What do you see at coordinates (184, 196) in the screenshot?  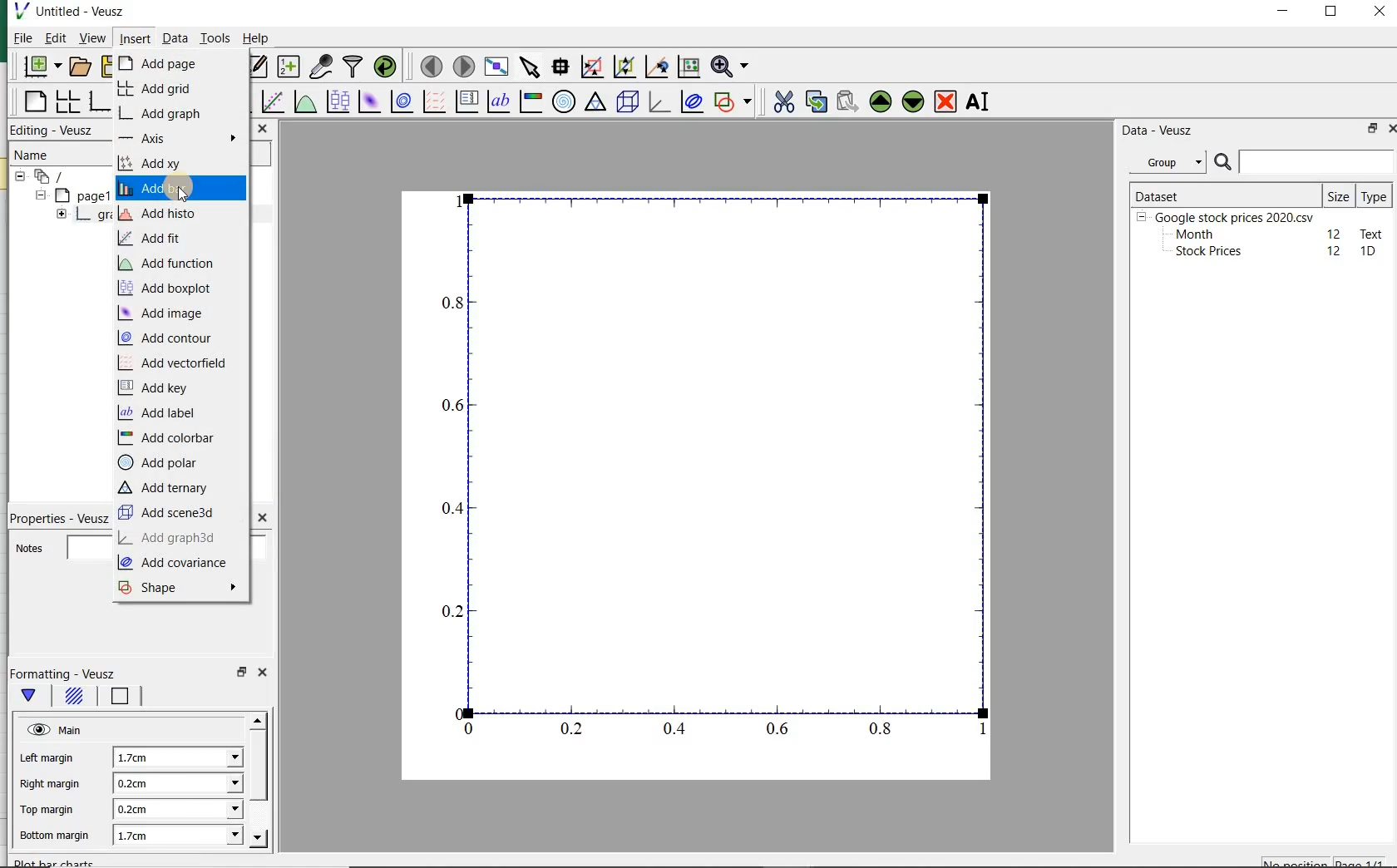 I see `cursor` at bounding box center [184, 196].